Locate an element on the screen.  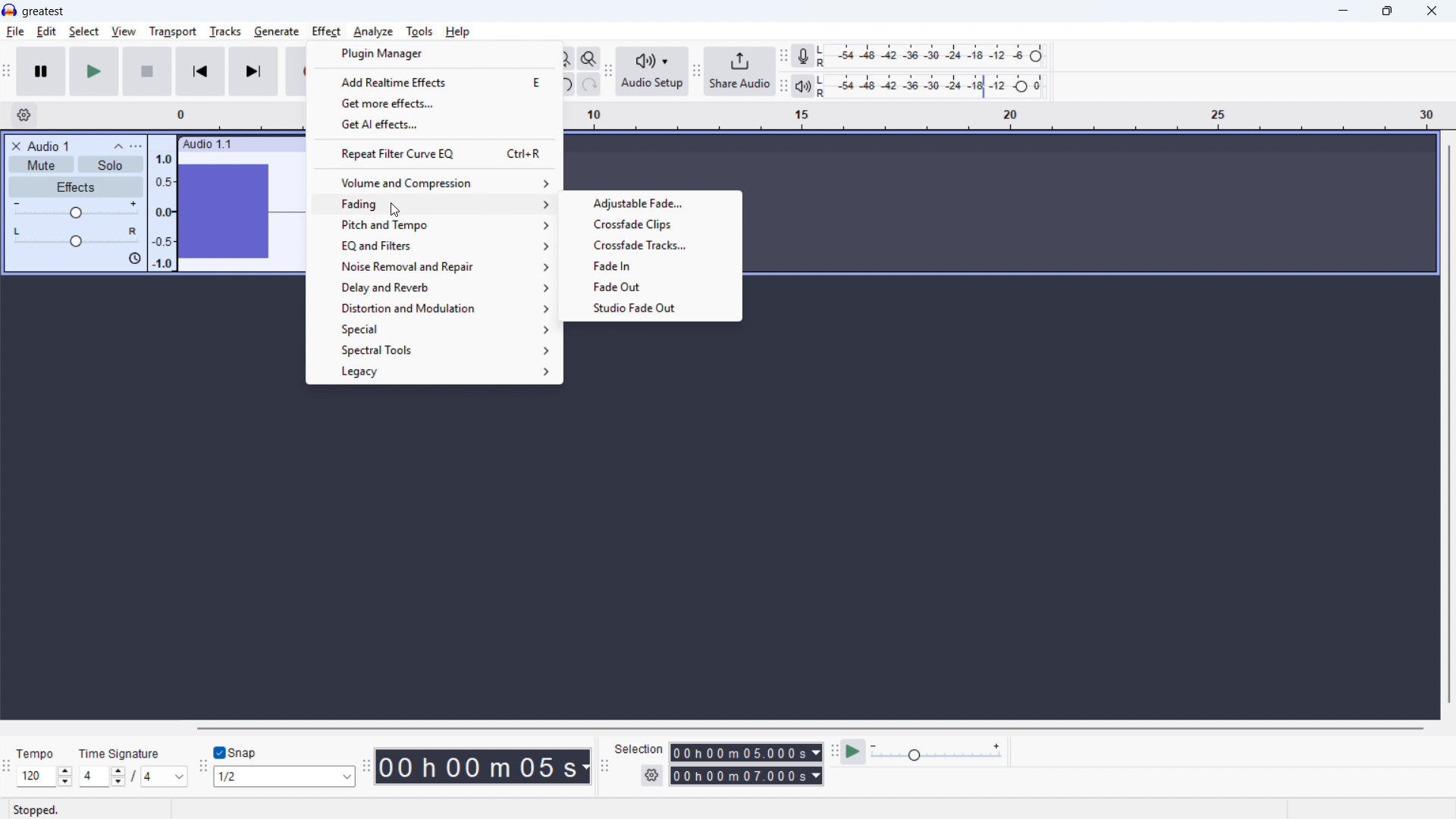
Noise removal and repair  is located at coordinates (435, 267).